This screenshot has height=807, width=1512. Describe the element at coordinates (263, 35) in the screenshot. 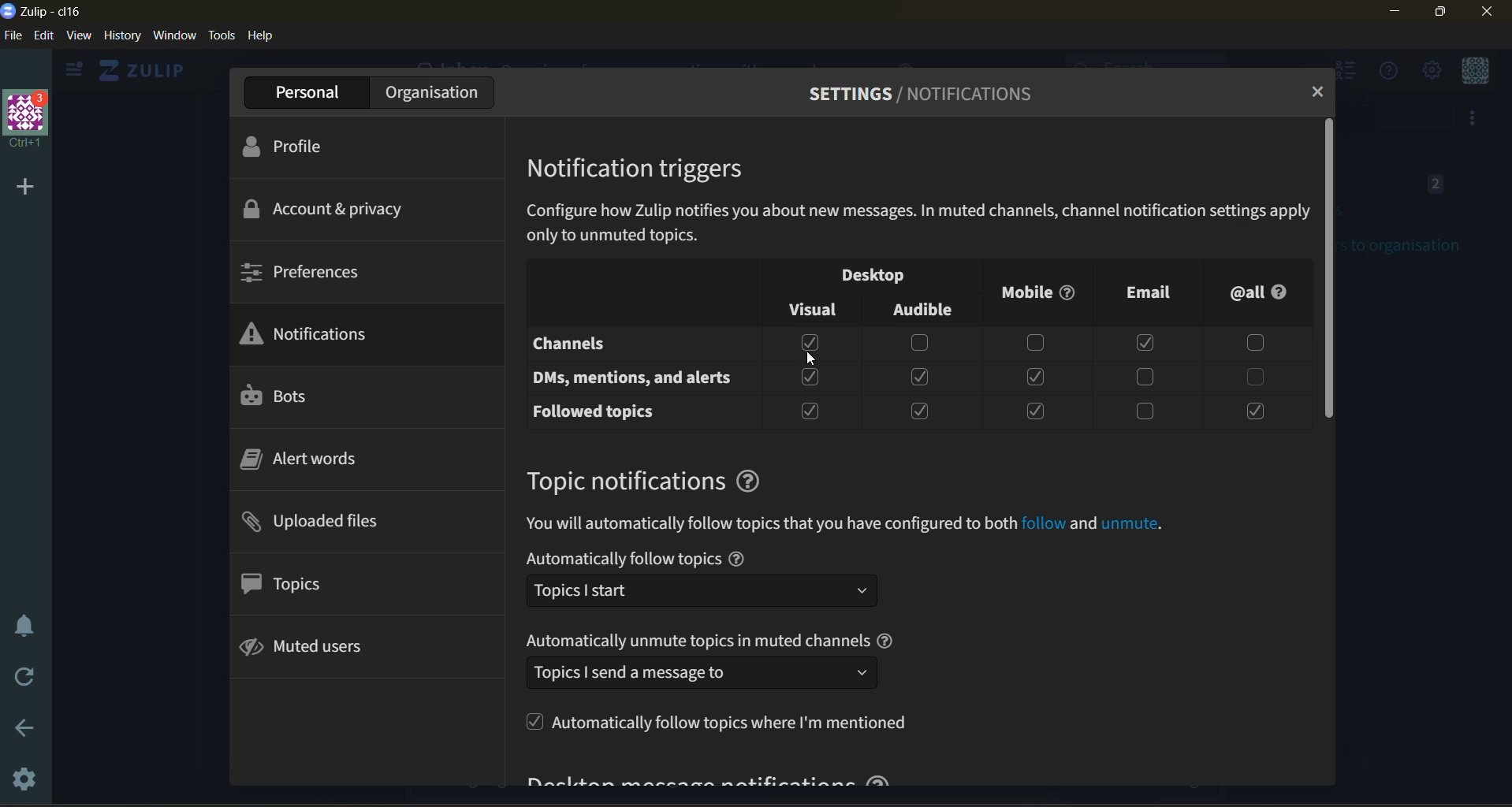

I see `help` at that location.